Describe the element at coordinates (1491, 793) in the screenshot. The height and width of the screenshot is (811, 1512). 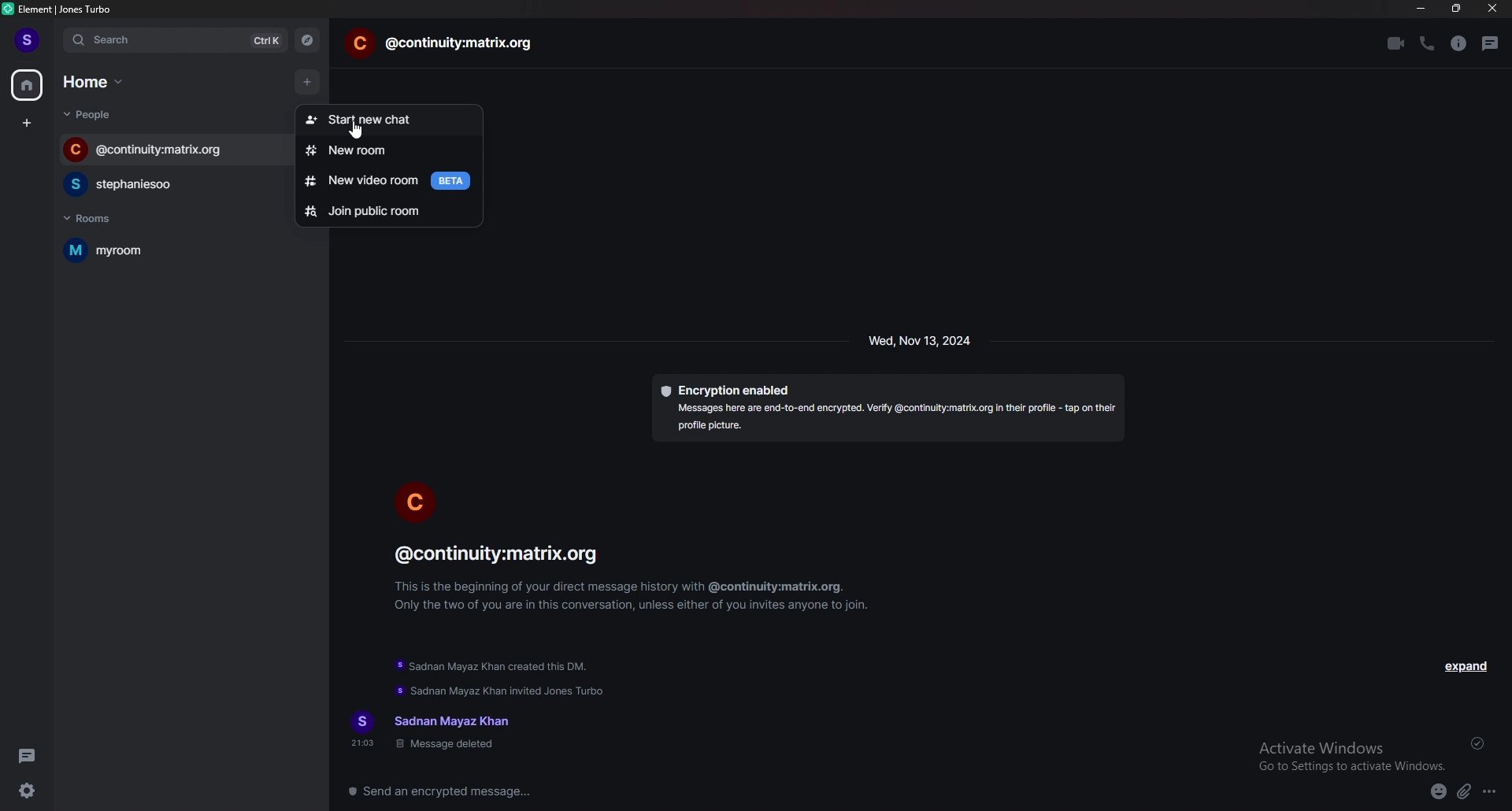
I see `more options` at that location.